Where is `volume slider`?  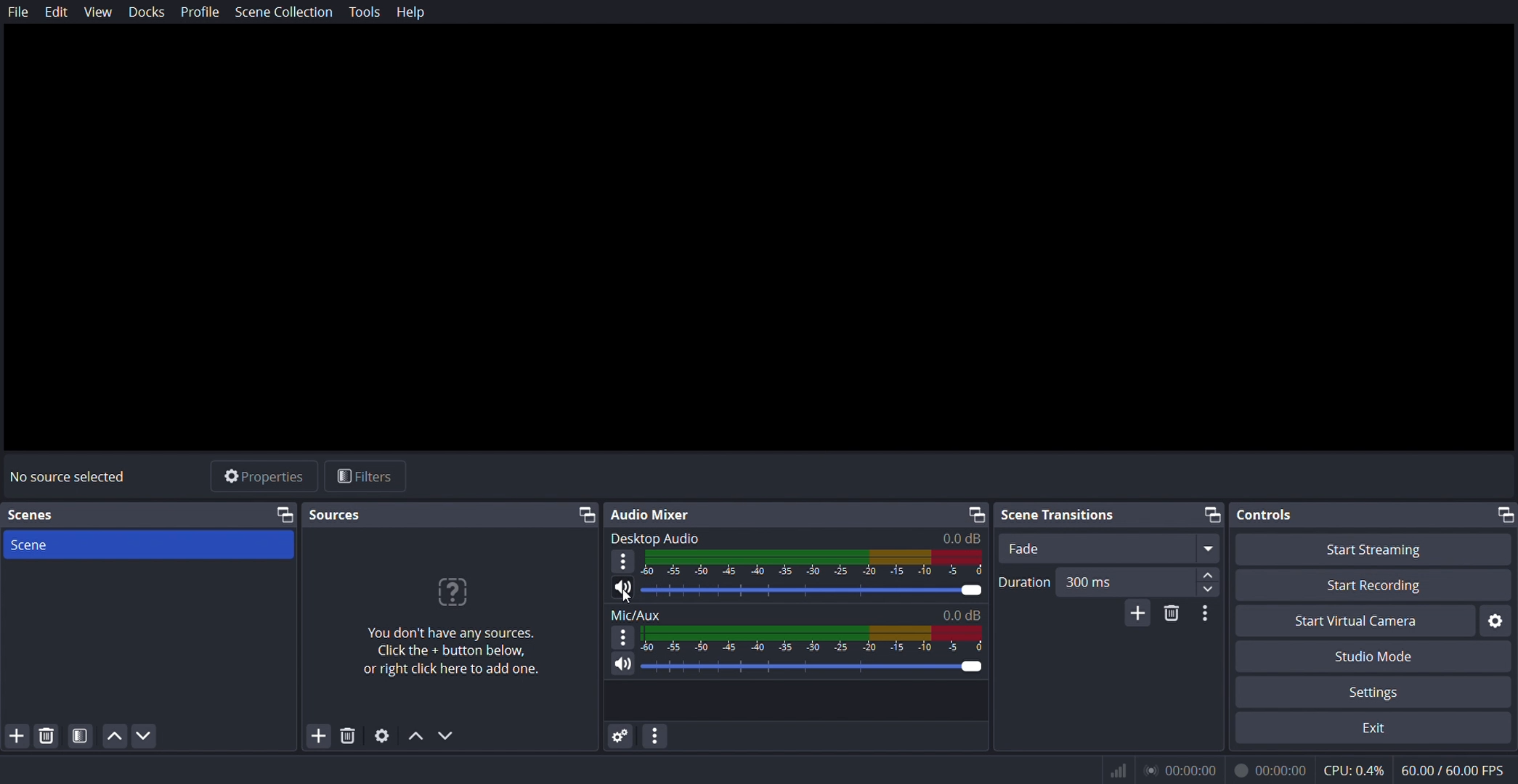
volume slider is located at coordinates (797, 669).